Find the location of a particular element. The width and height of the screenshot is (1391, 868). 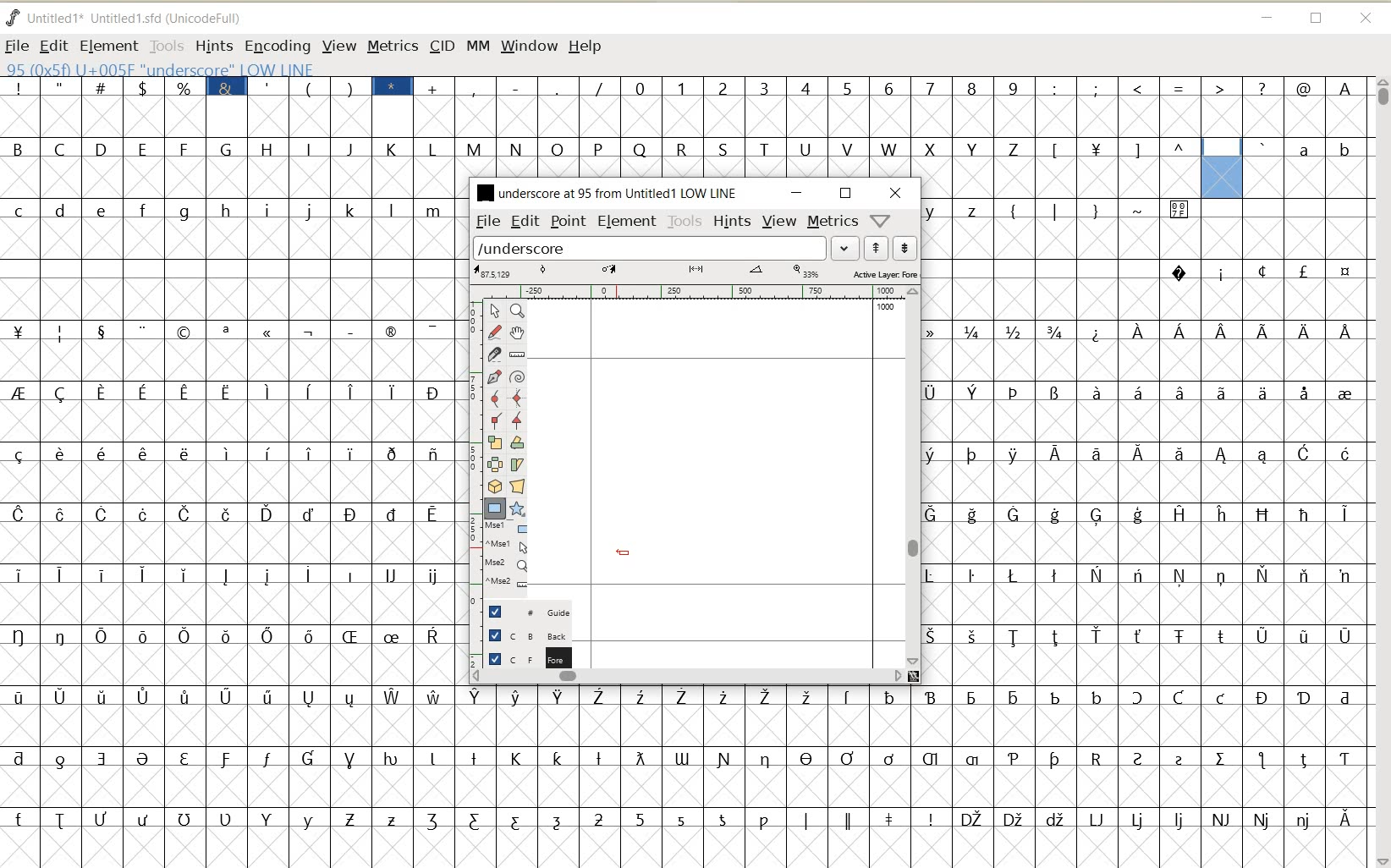

FOREGROUND is located at coordinates (522, 656).